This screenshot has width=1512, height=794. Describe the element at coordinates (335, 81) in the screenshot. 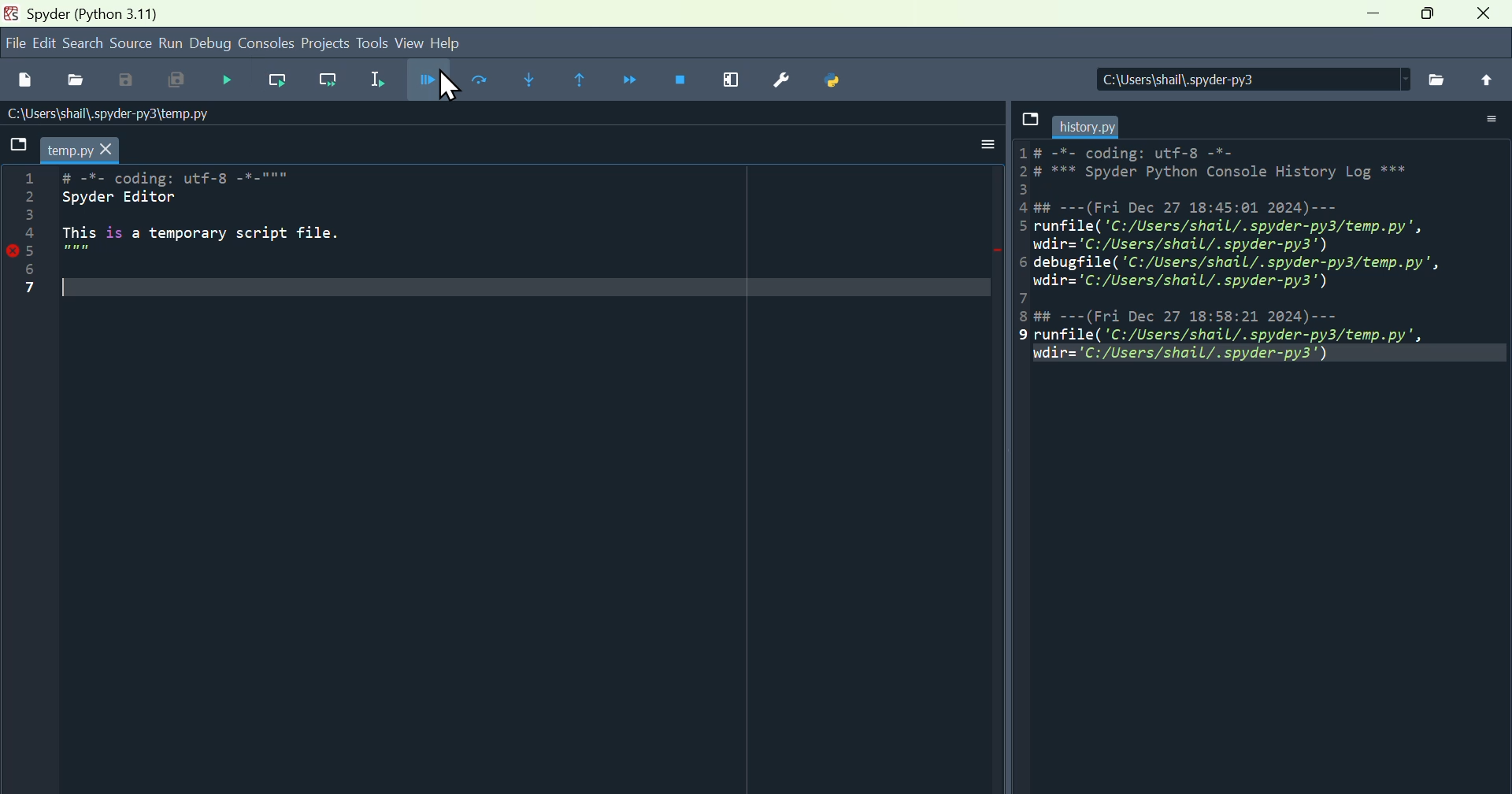

I see `Run current line and go to the next one` at that location.